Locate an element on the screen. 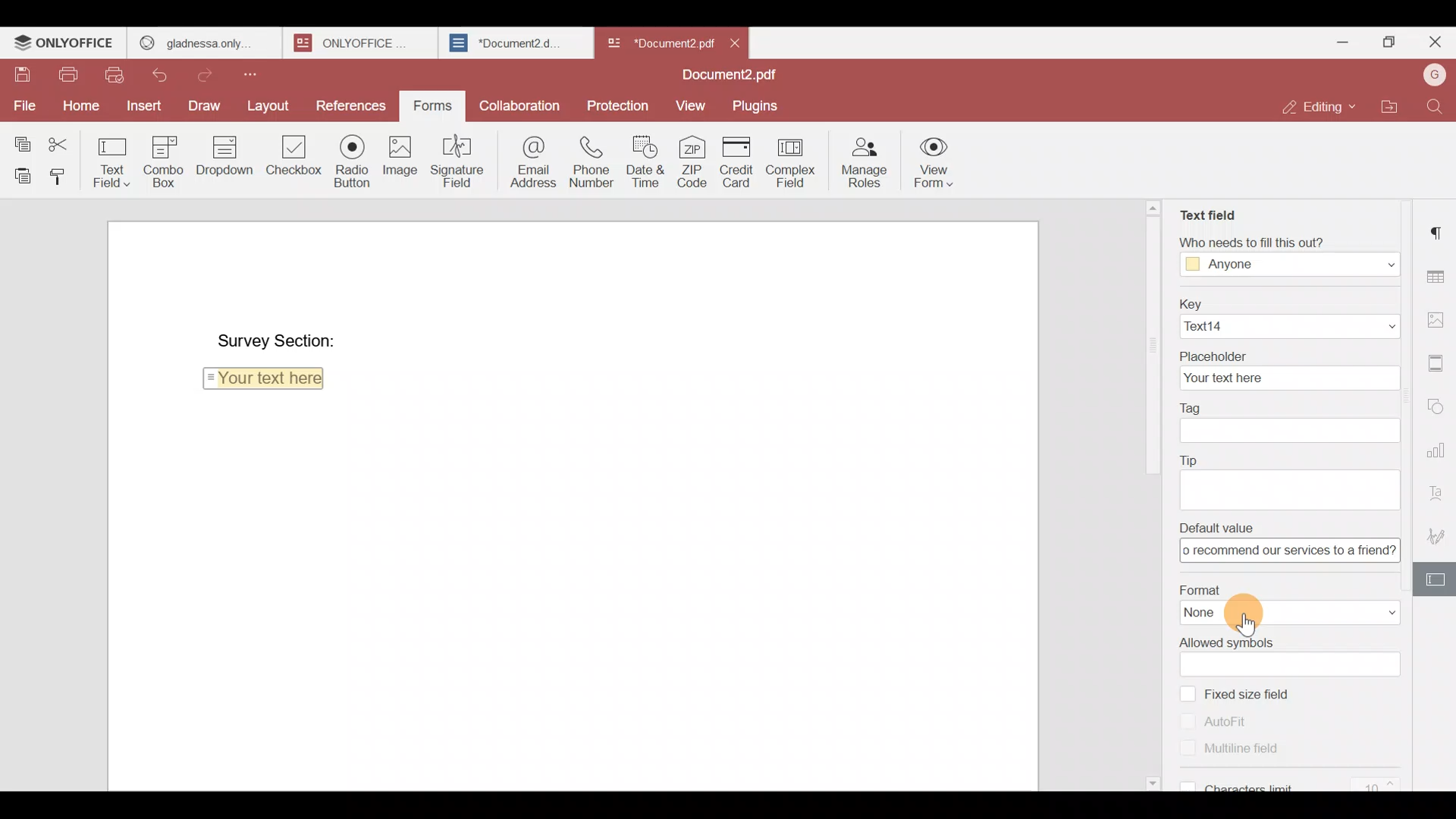 The height and width of the screenshot is (819, 1456). Survey Section: is located at coordinates (277, 334).